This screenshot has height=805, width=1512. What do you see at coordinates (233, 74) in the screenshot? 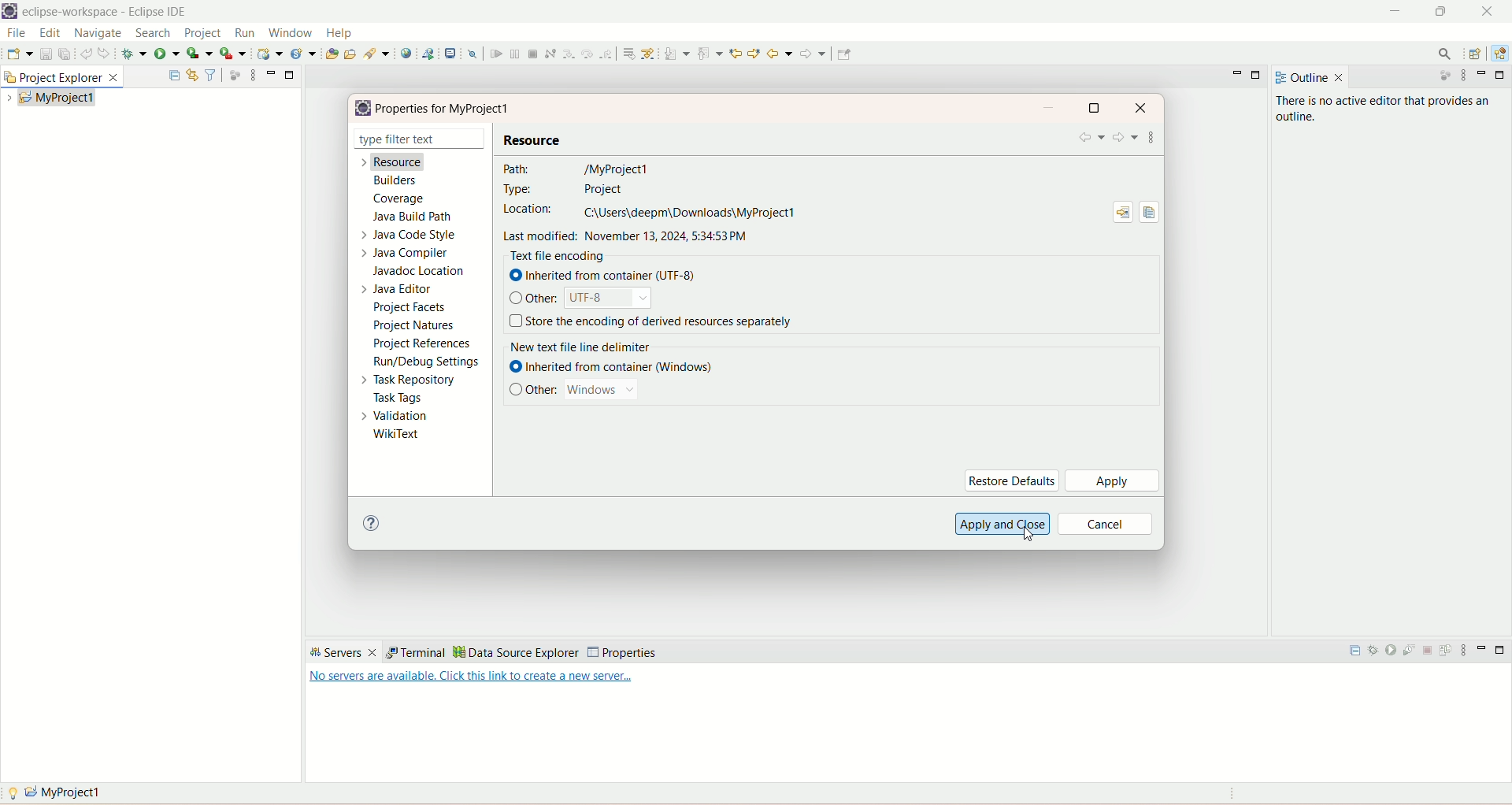
I see `focus on active task` at bounding box center [233, 74].